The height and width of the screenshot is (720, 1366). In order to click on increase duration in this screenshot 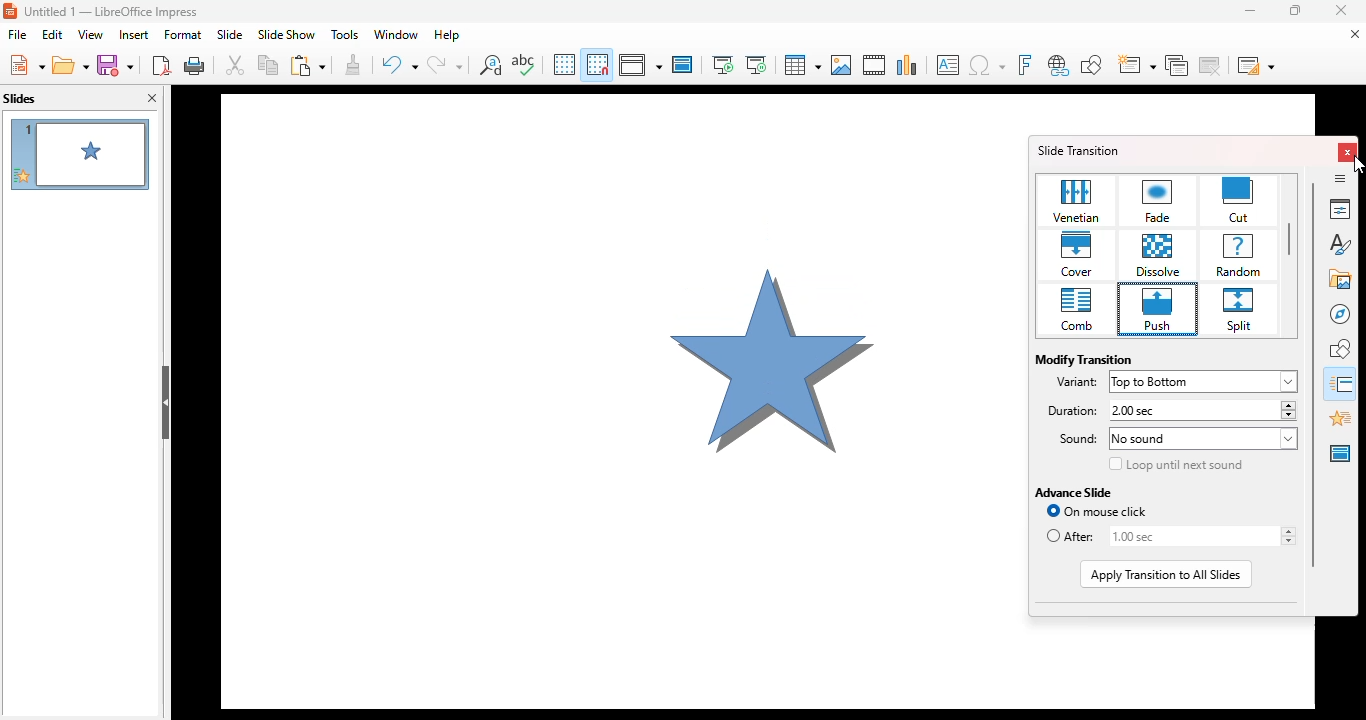, I will do `click(1287, 404)`.